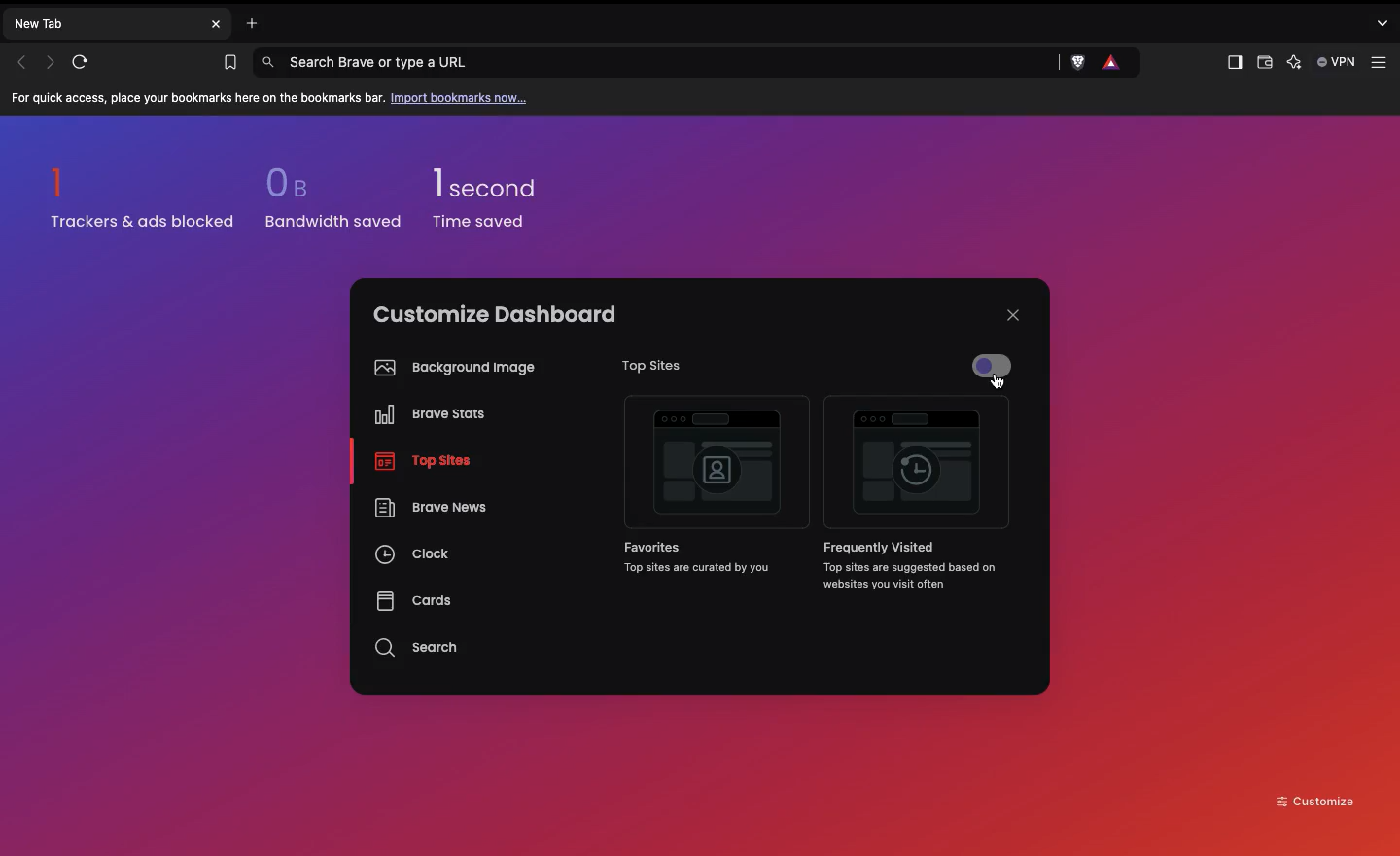  Describe the element at coordinates (103, 22) in the screenshot. I see `New tab` at that location.